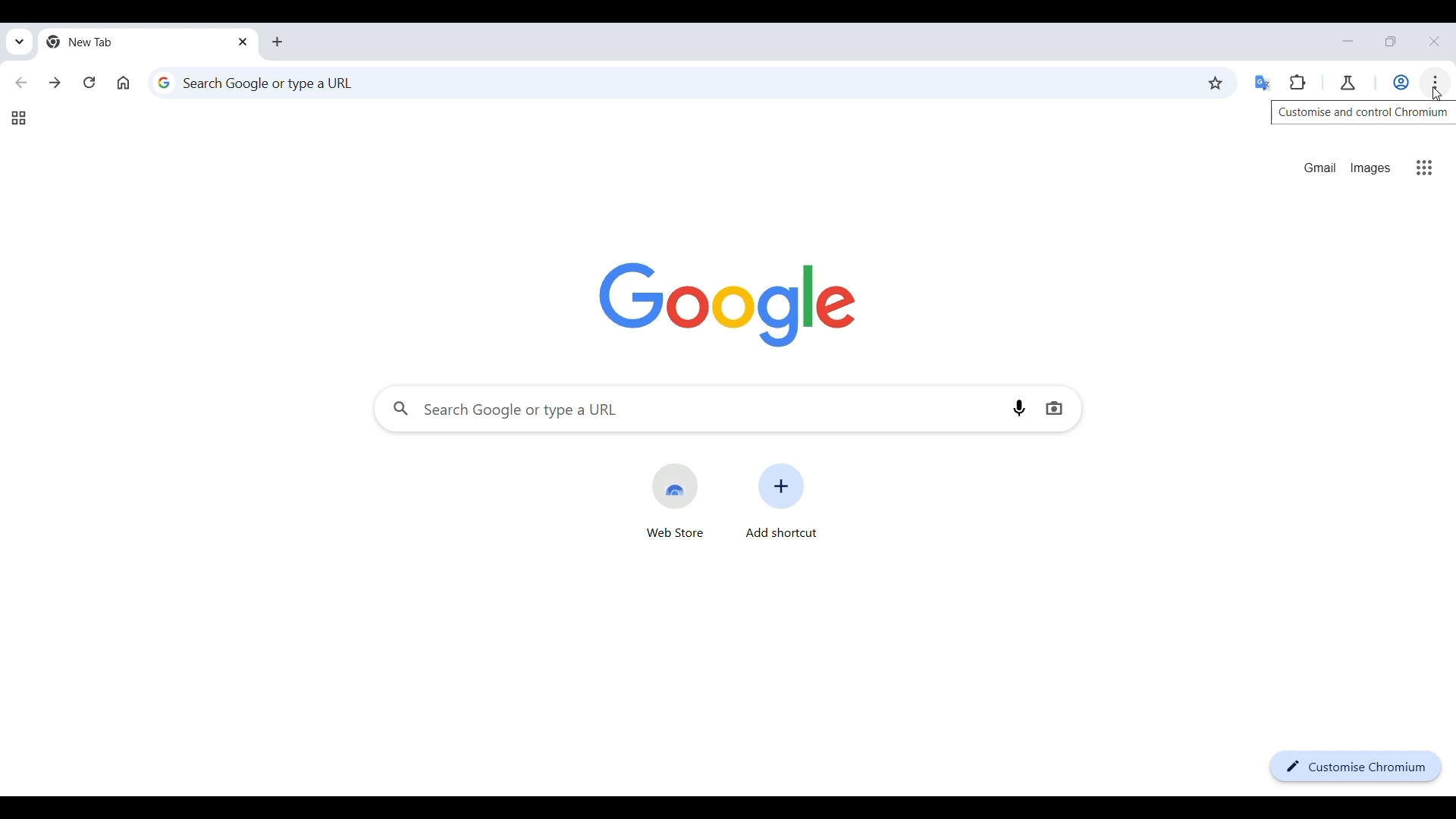 This screenshot has height=819, width=1456. I want to click on Bookmark this tab, so click(1216, 83).